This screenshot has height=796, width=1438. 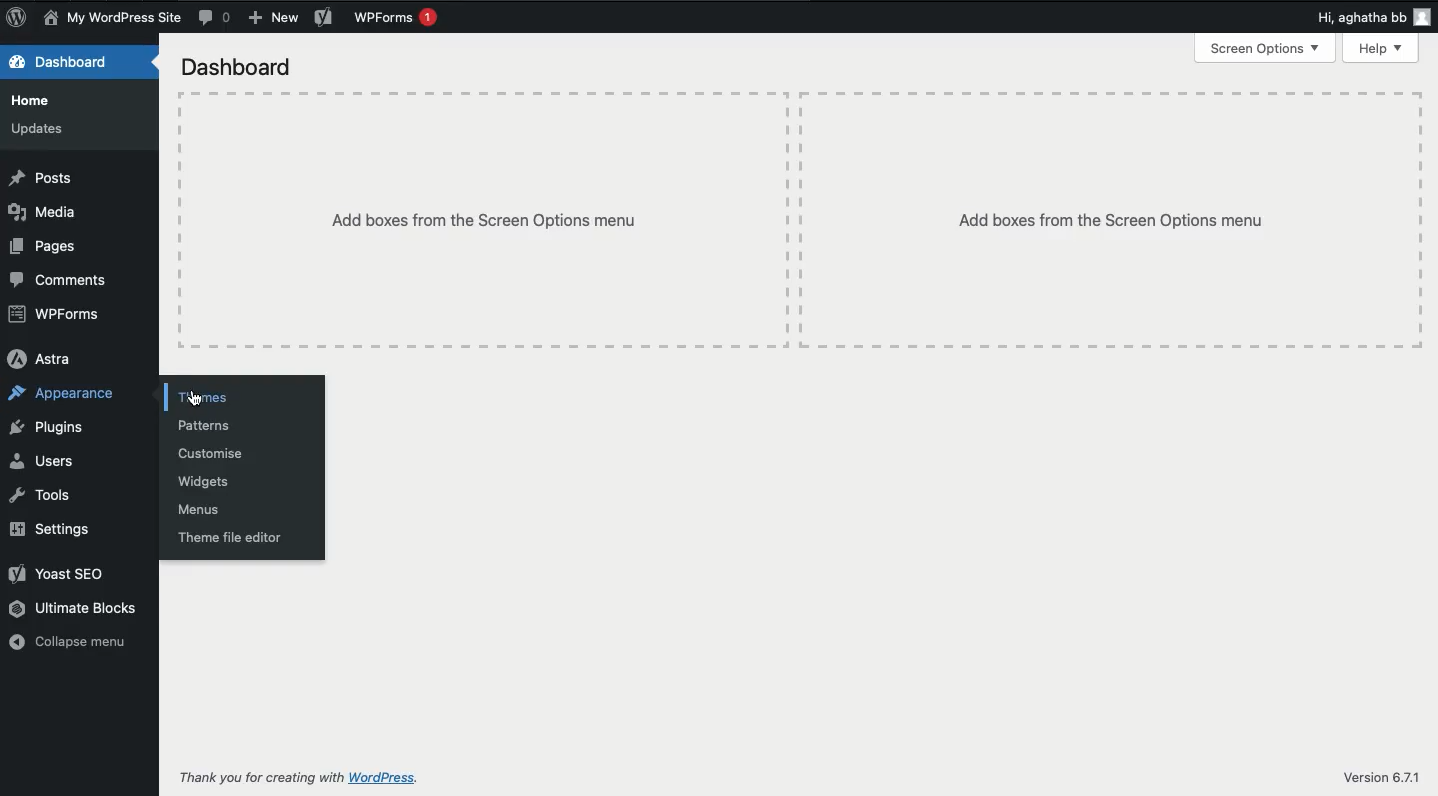 What do you see at coordinates (115, 17) in the screenshot?
I see `News` at bounding box center [115, 17].